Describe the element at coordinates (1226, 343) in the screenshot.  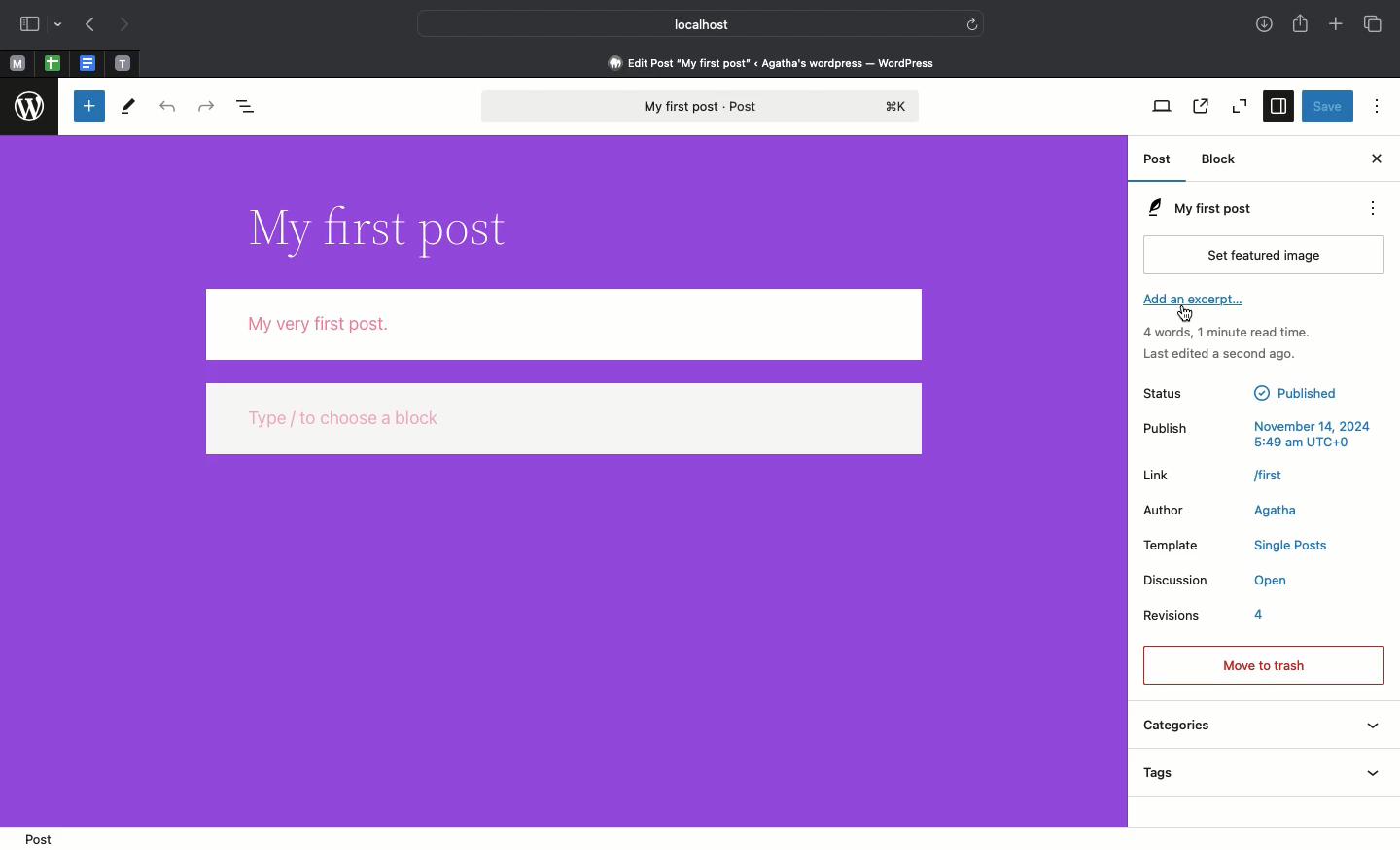
I see `Activity` at that location.